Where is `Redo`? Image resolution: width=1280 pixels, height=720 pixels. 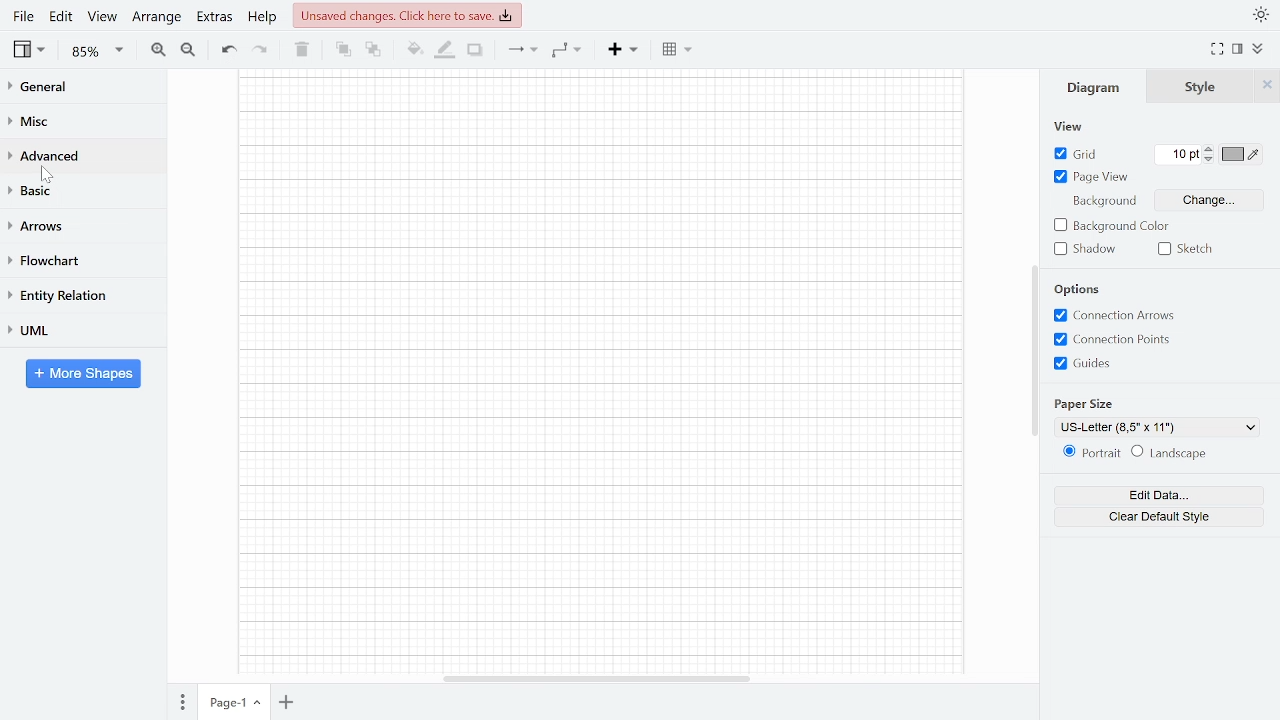 Redo is located at coordinates (259, 52).